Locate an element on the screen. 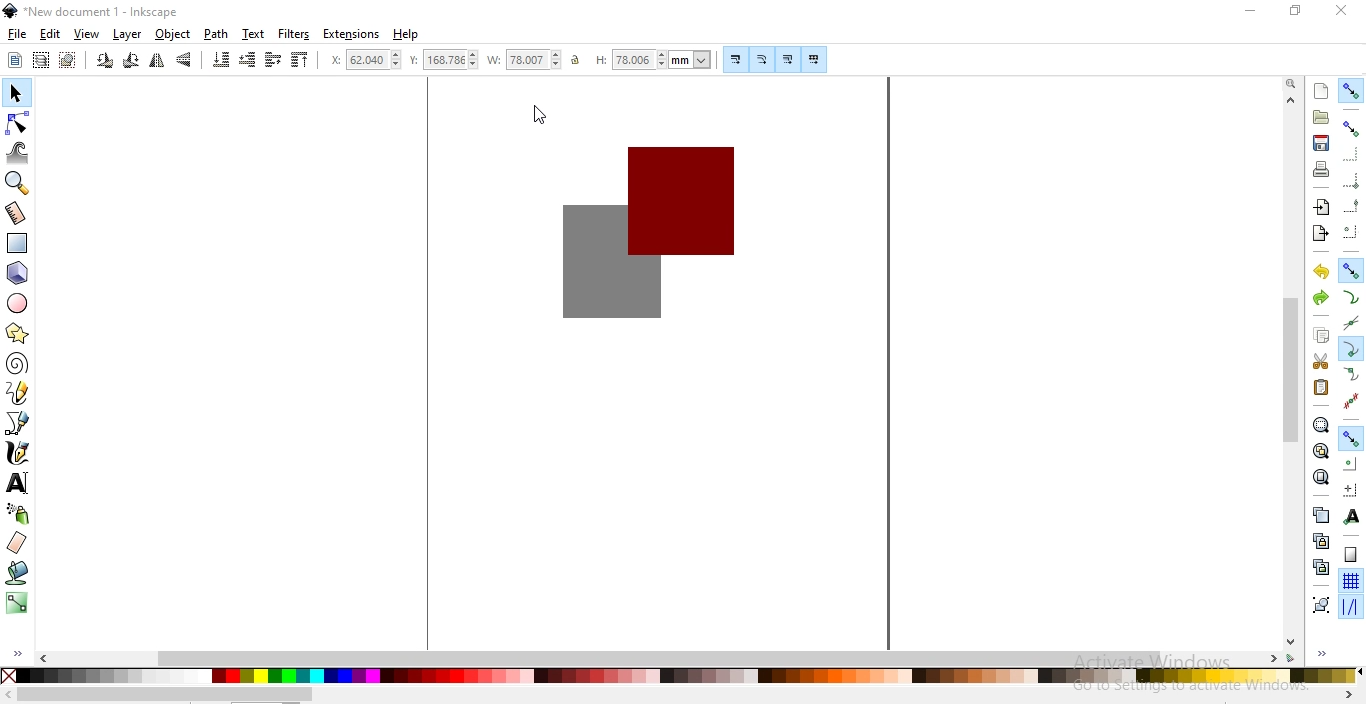 This screenshot has width=1366, height=704. move patterns along with object is located at coordinates (814, 60).